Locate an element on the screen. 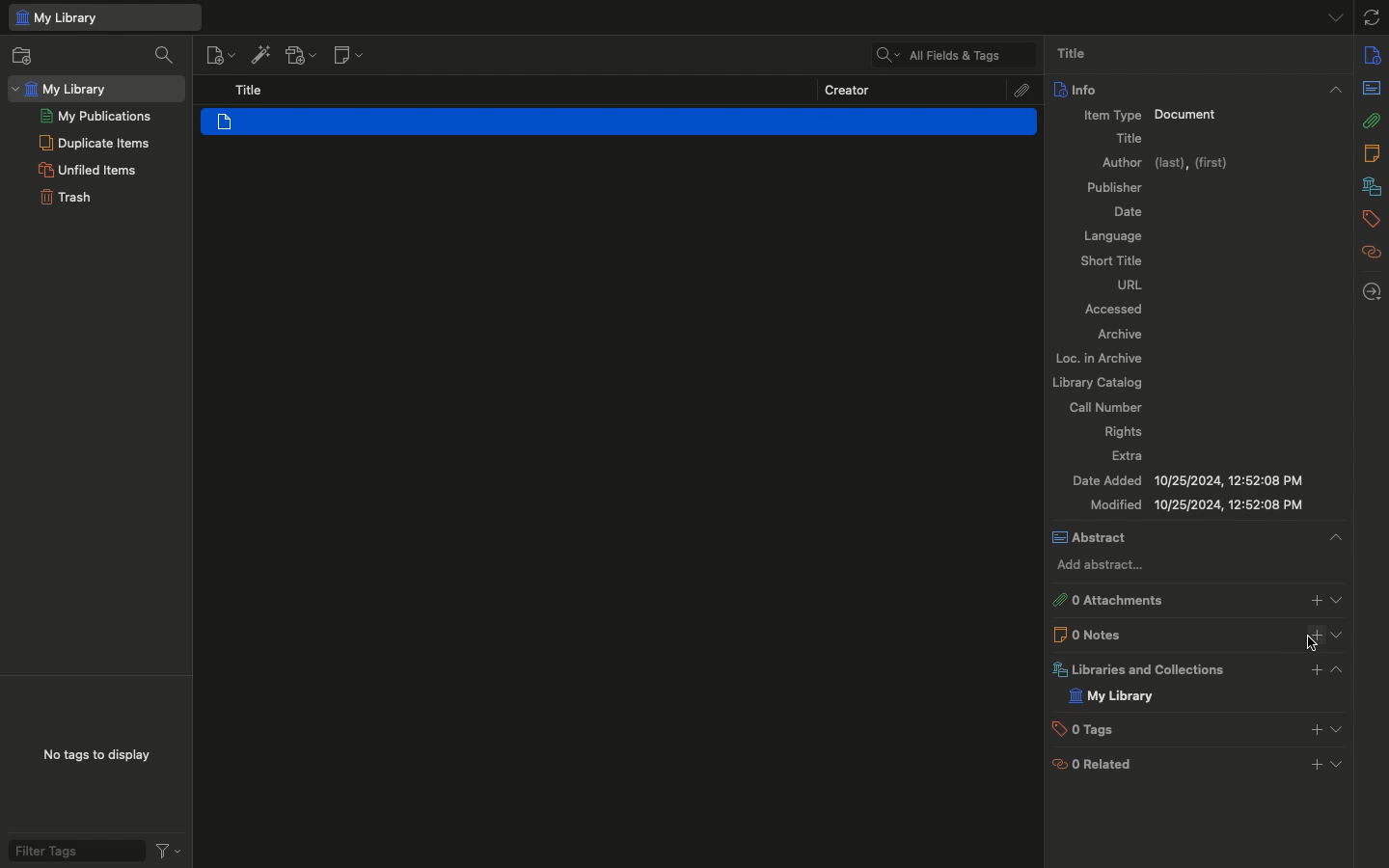  Filter collections is located at coordinates (164, 56).